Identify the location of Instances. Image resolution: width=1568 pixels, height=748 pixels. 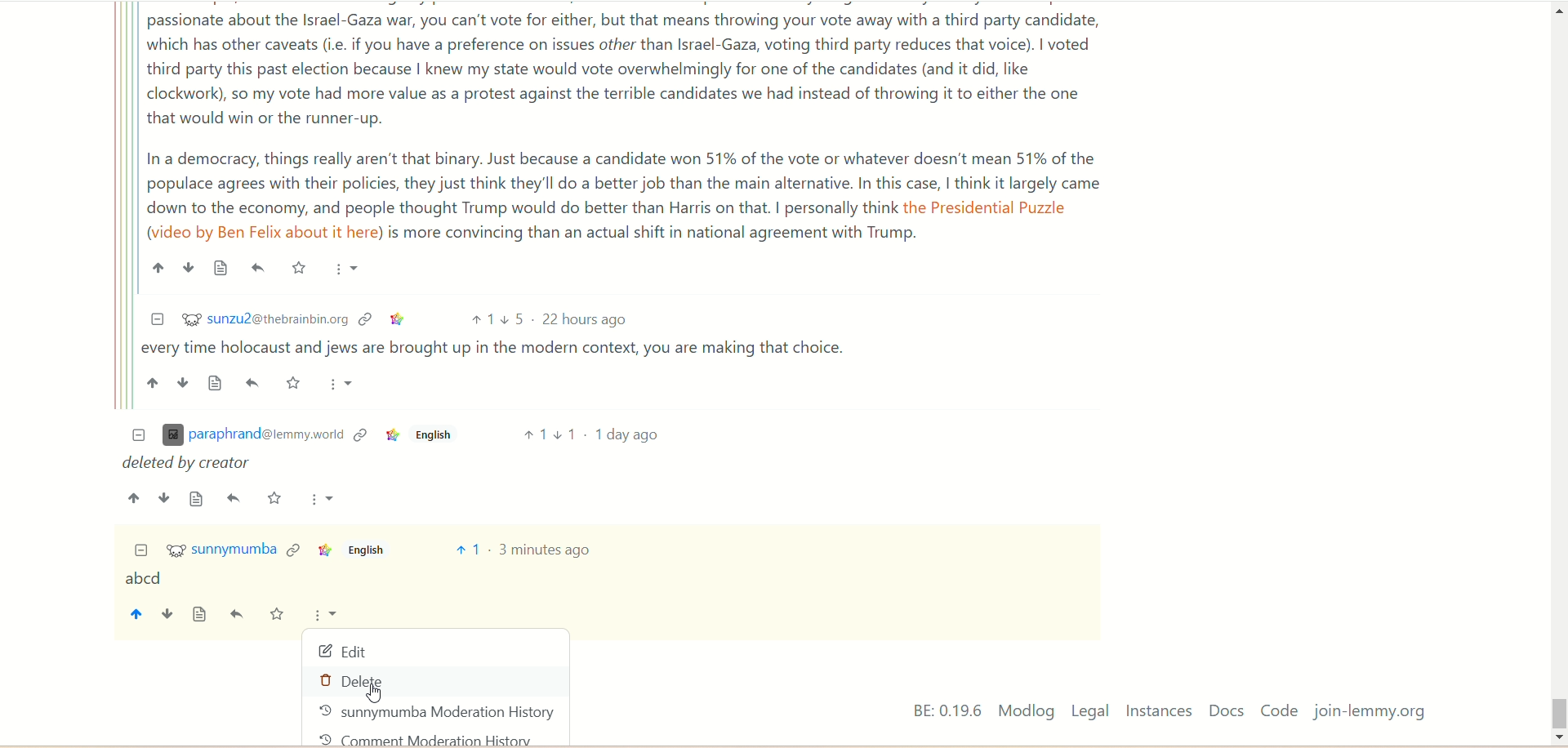
(1159, 711).